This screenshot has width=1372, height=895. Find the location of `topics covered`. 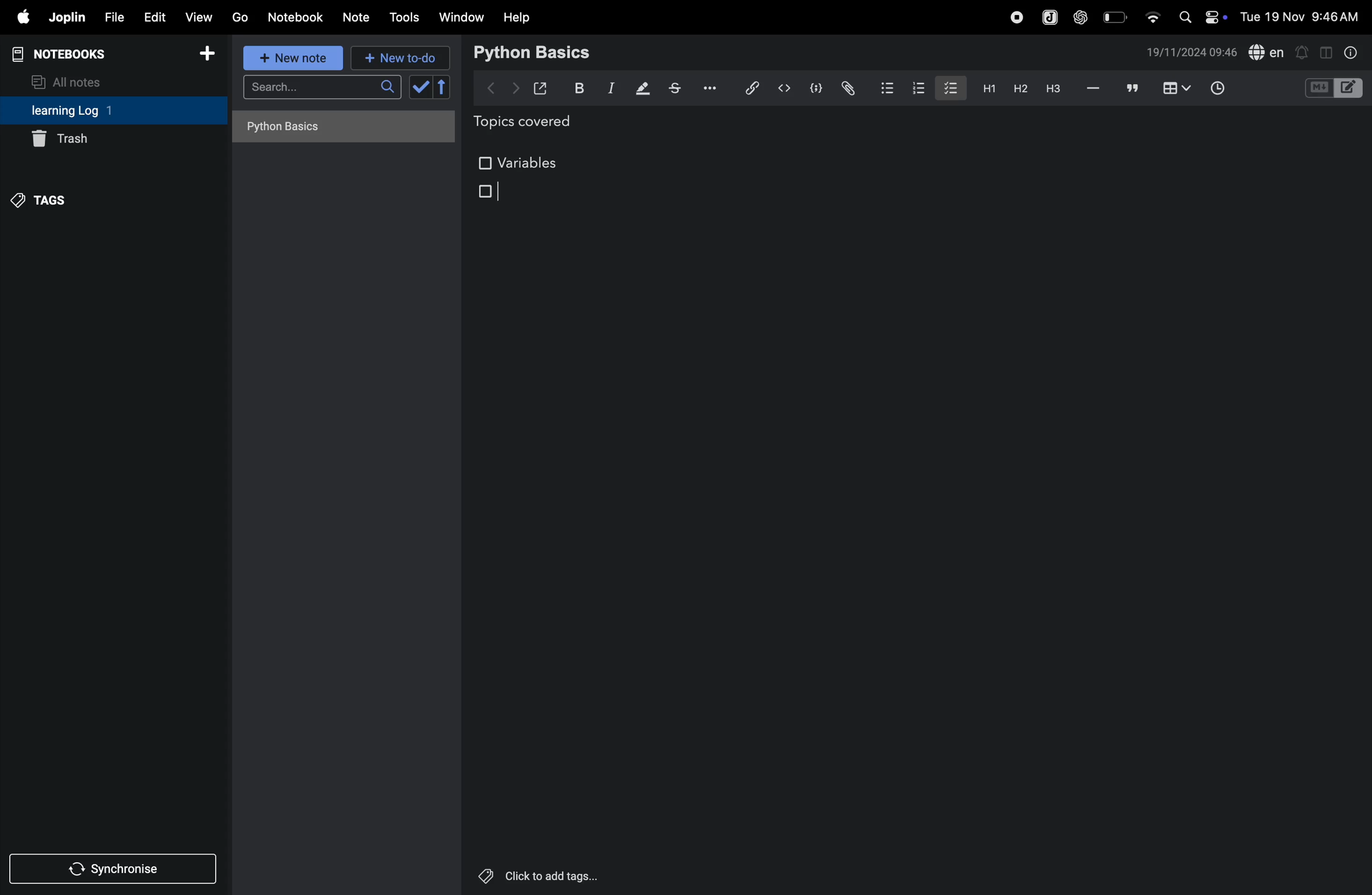

topics covered is located at coordinates (536, 123).